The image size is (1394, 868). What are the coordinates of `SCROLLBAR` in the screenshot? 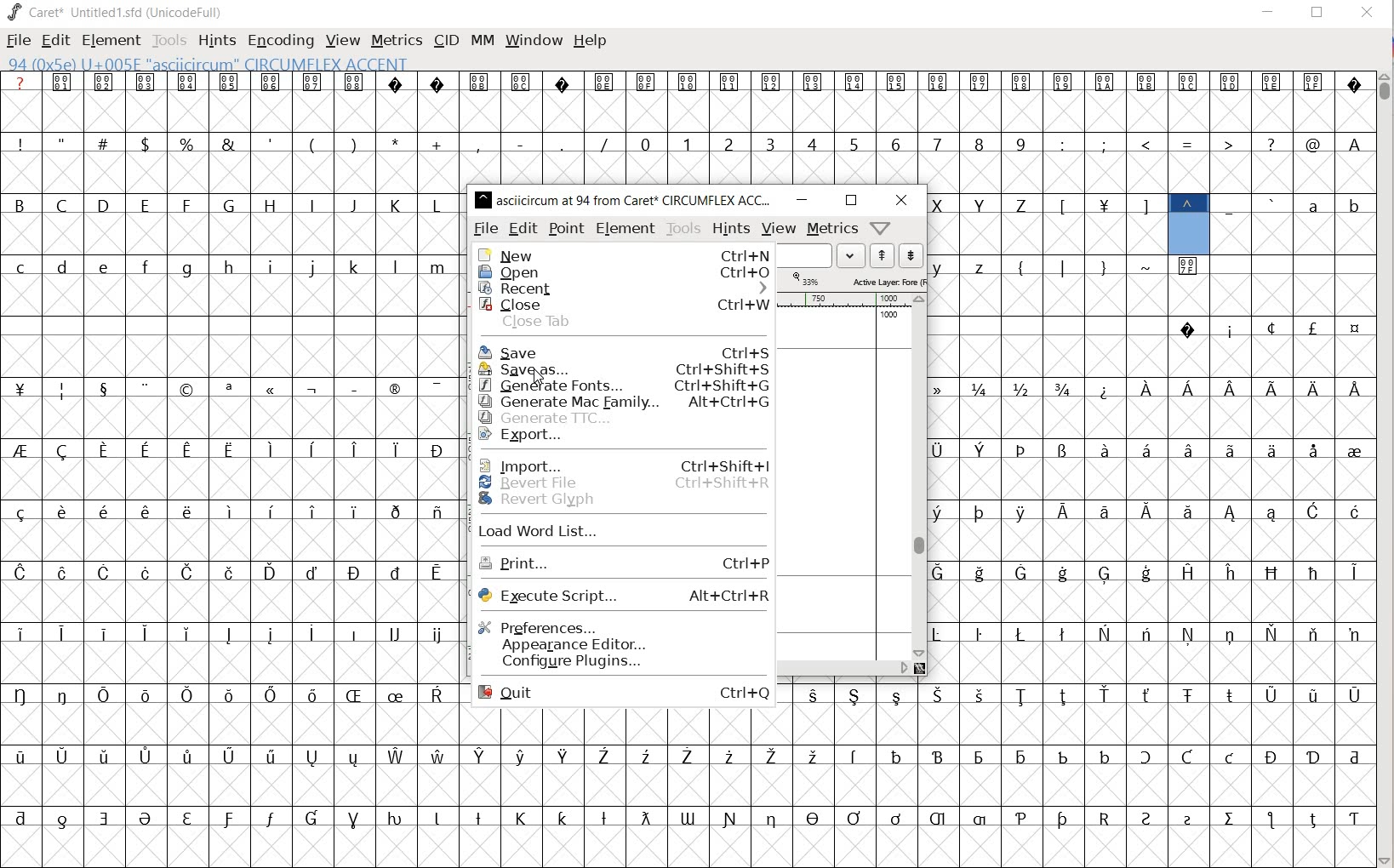 It's located at (853, 670).